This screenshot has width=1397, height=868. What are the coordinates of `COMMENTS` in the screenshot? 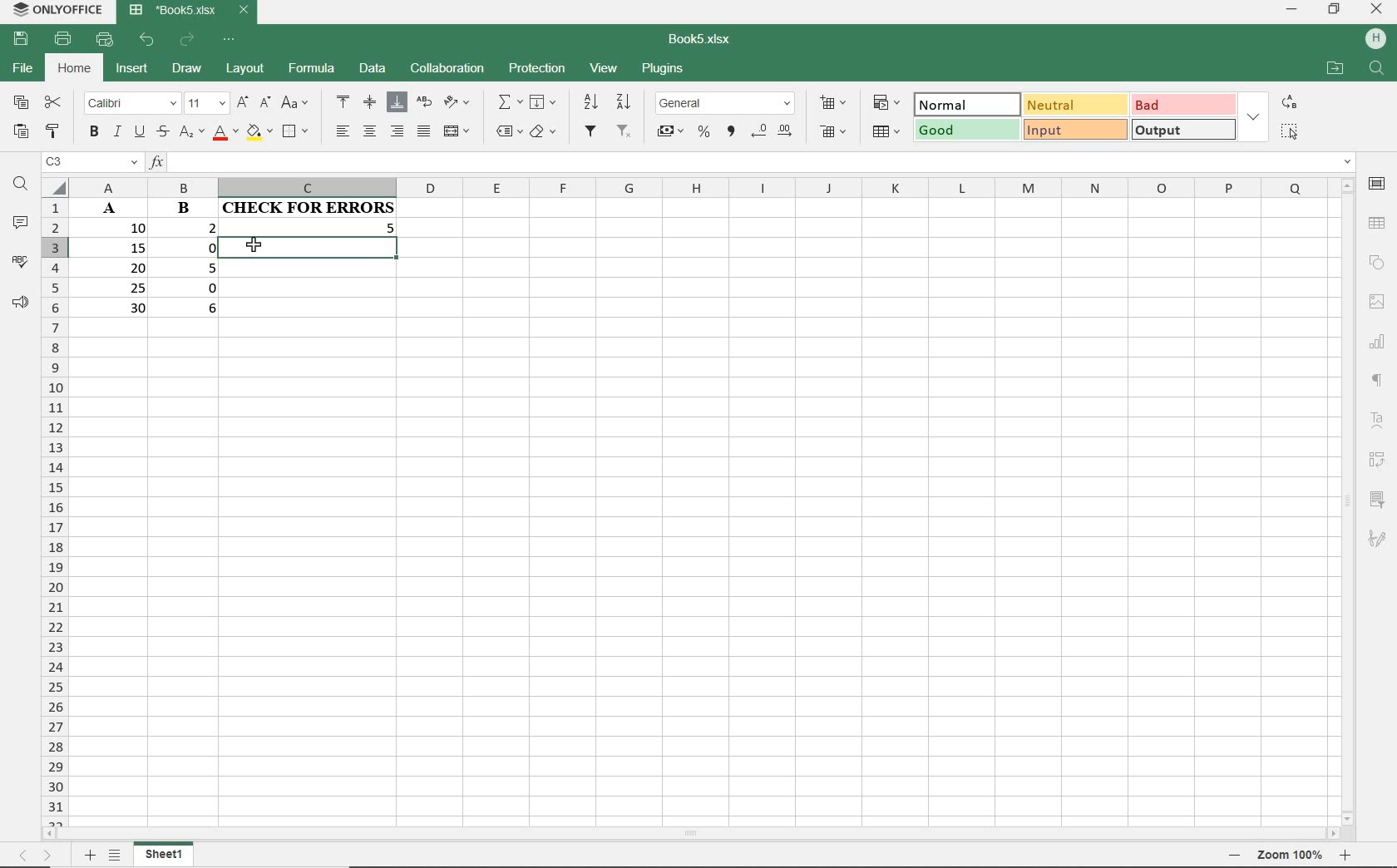 It's located at (19, 223).